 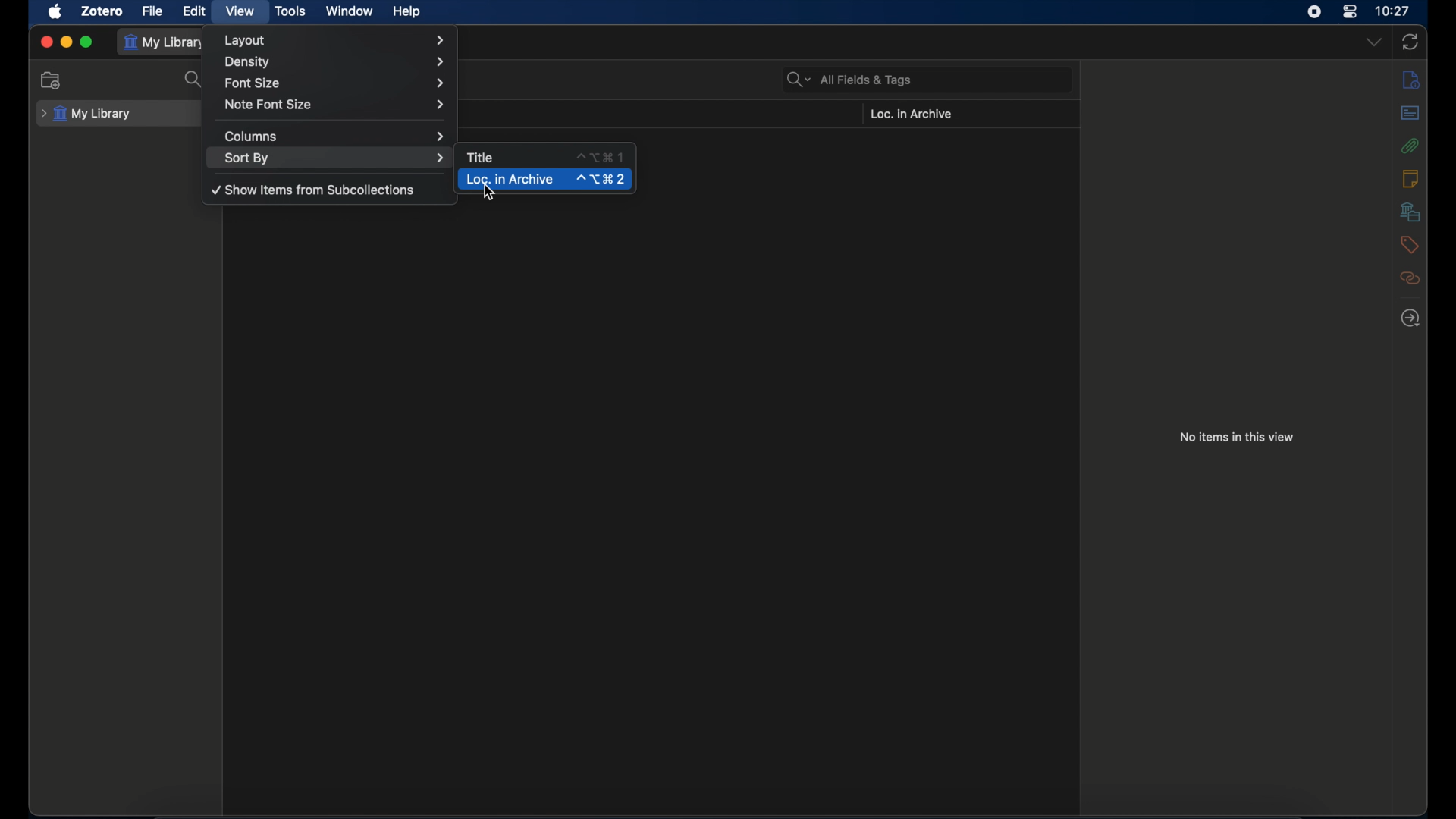 I want to click on dropdown, so click(x=1375, y=42).